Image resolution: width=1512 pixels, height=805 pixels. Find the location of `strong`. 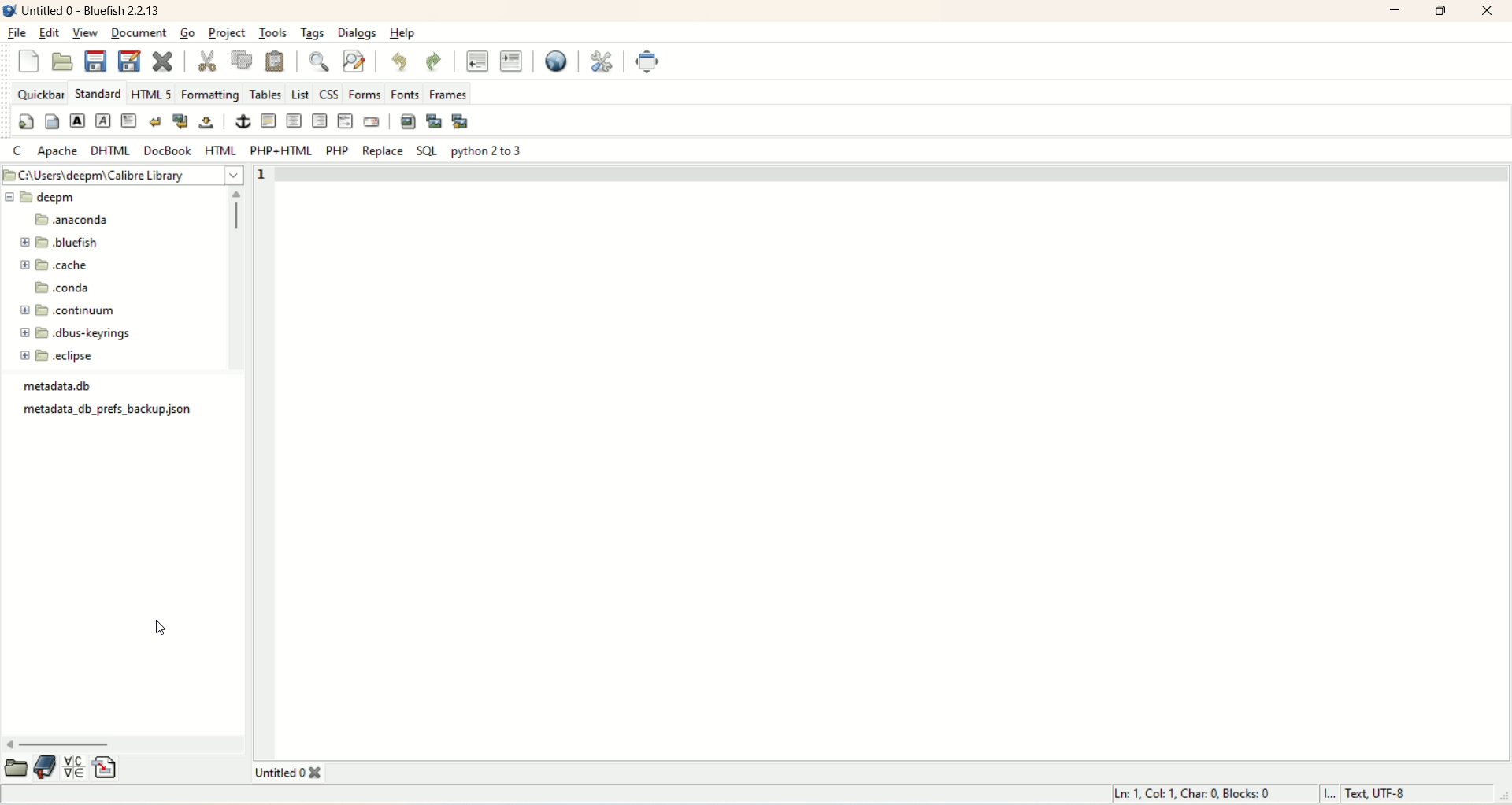

strong is located at coordinates (76, 120).